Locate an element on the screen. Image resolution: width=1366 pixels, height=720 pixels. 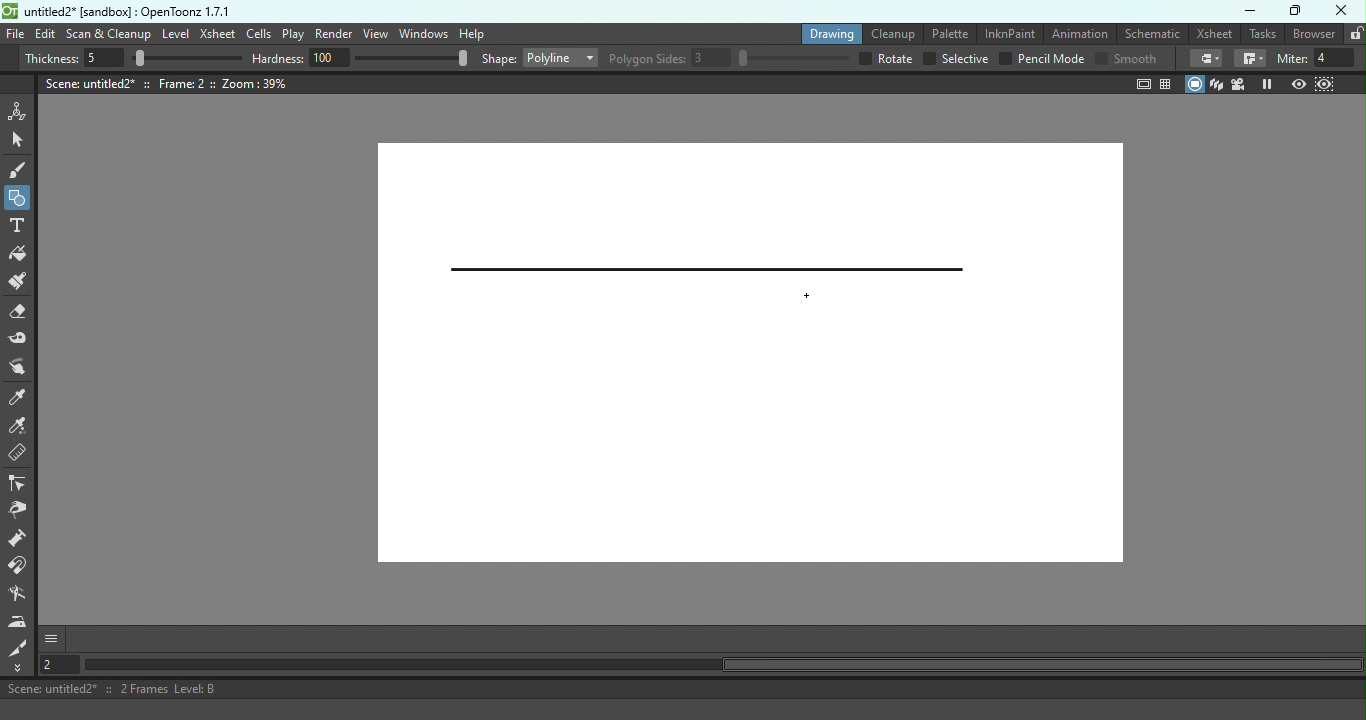
Browser is located at coordinates (1315, 34).